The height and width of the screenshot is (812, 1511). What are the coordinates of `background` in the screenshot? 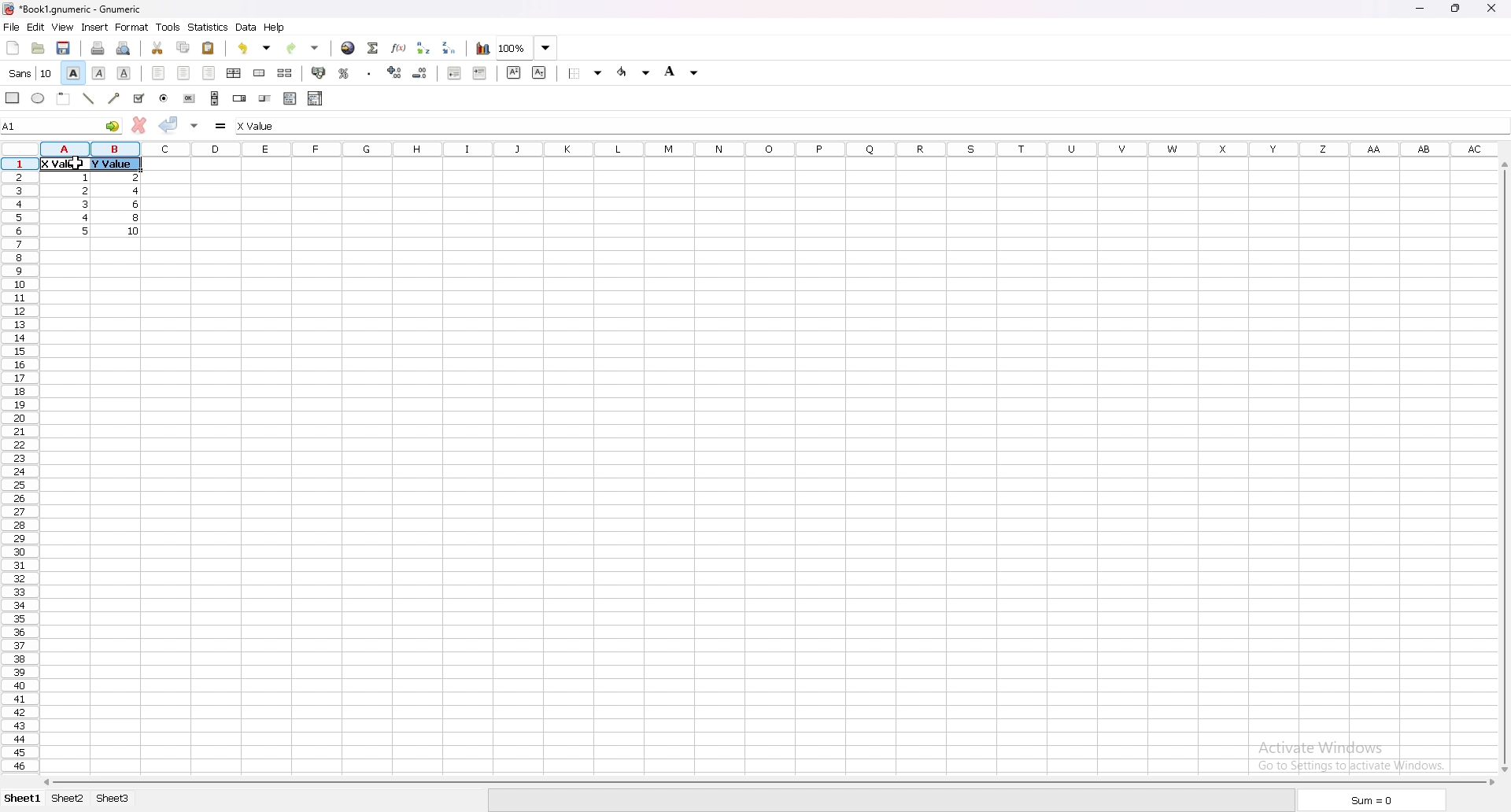 It's located at (682, 71).